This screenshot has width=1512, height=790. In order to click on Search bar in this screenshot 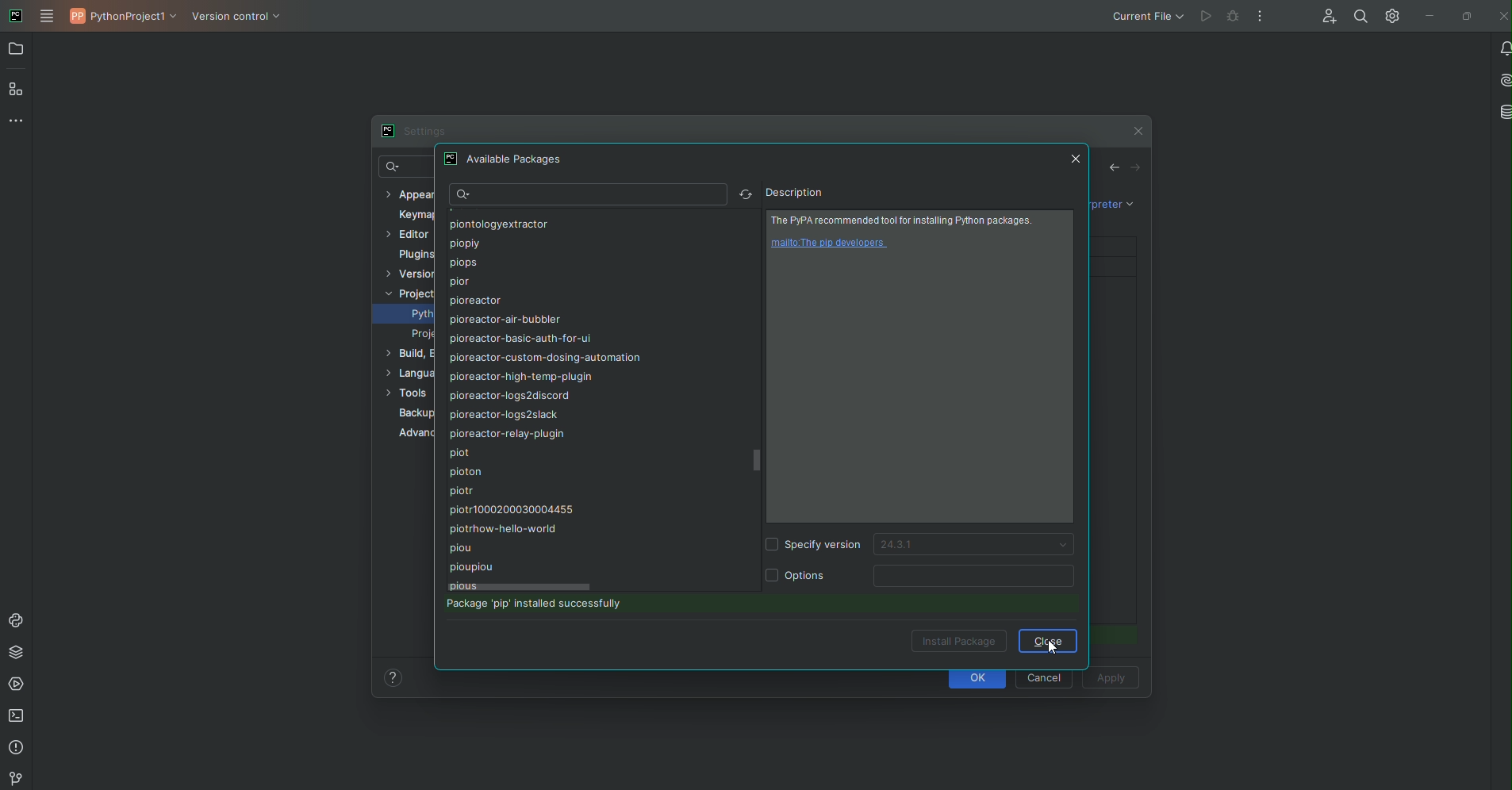, I will do `click(585, 195)`.